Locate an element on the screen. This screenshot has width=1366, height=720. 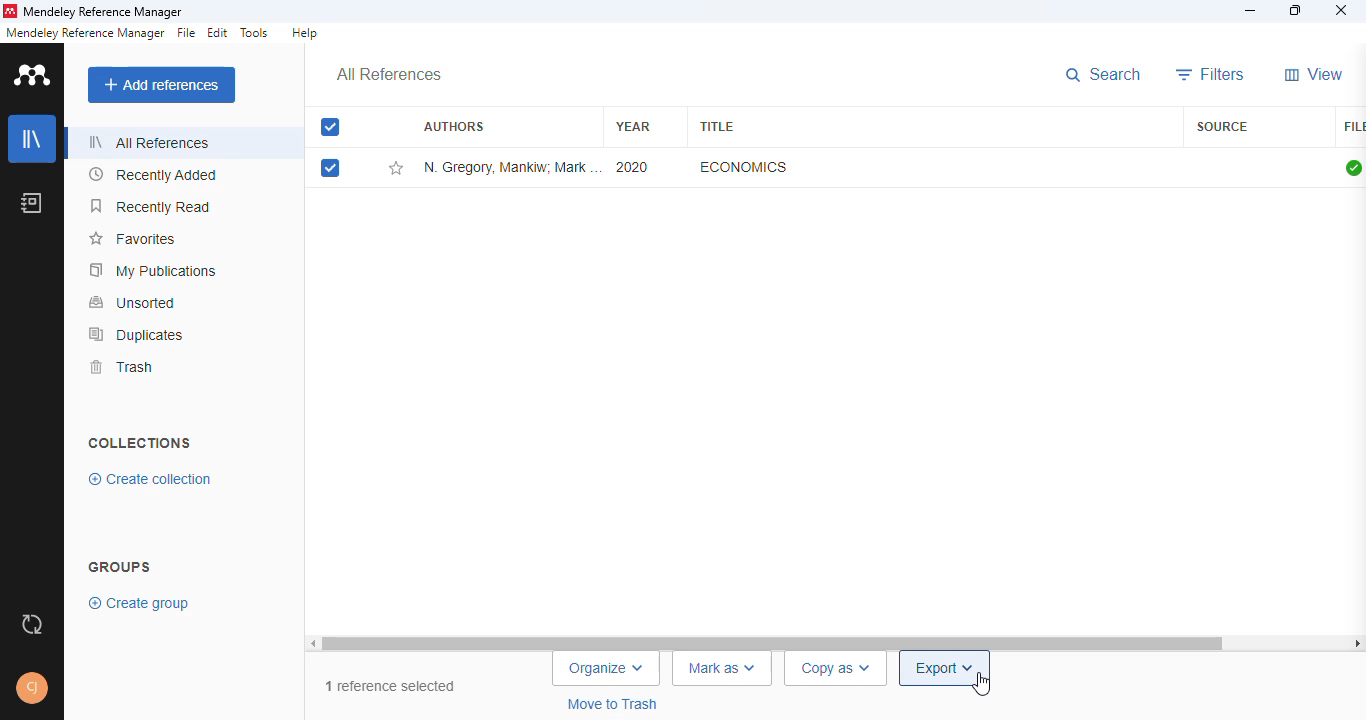
mark as is located at coordinates (723, 669).